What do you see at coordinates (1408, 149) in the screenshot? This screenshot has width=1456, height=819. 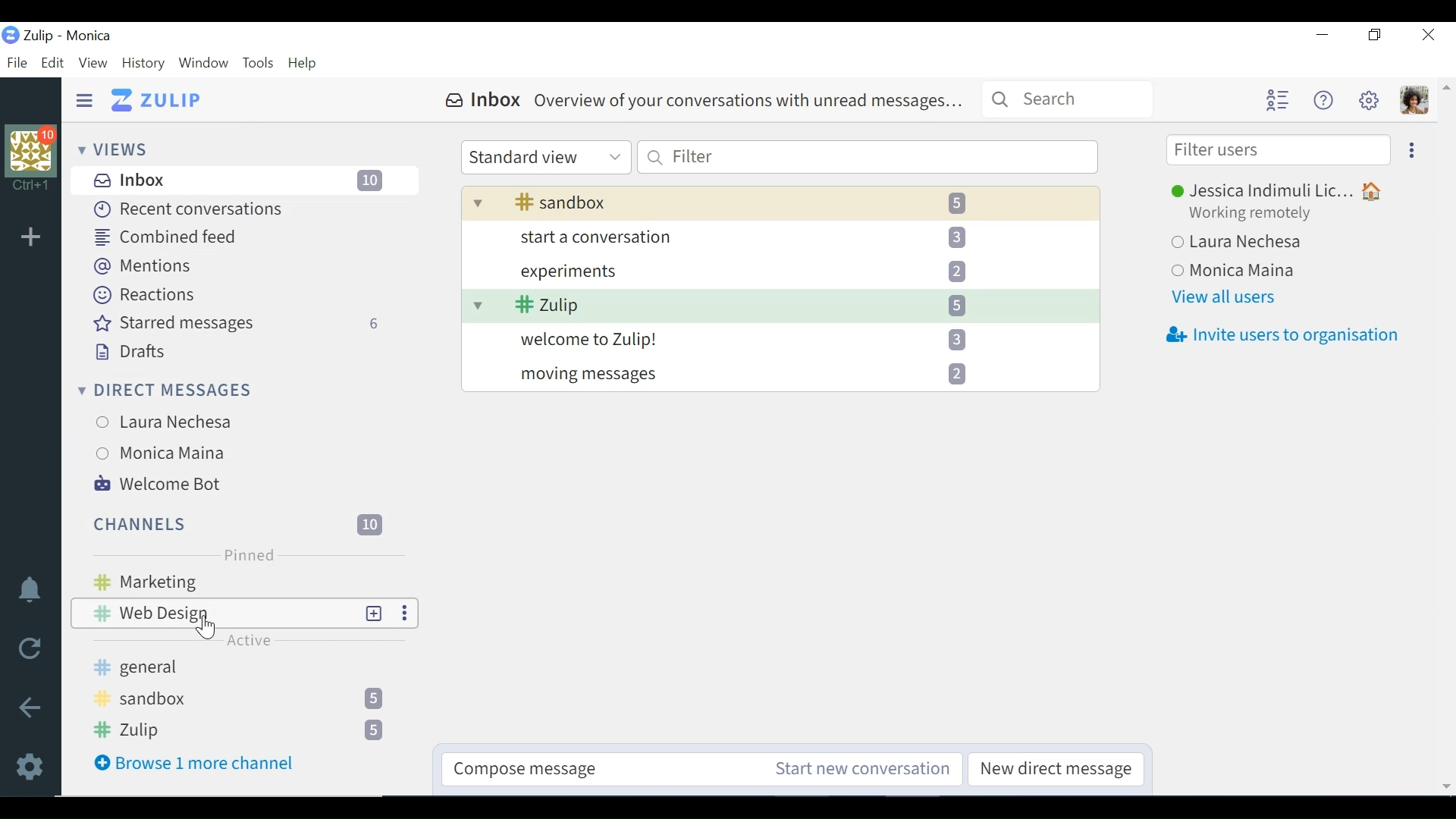 I see `Ellipsis` at bounding box center [1408, 149].